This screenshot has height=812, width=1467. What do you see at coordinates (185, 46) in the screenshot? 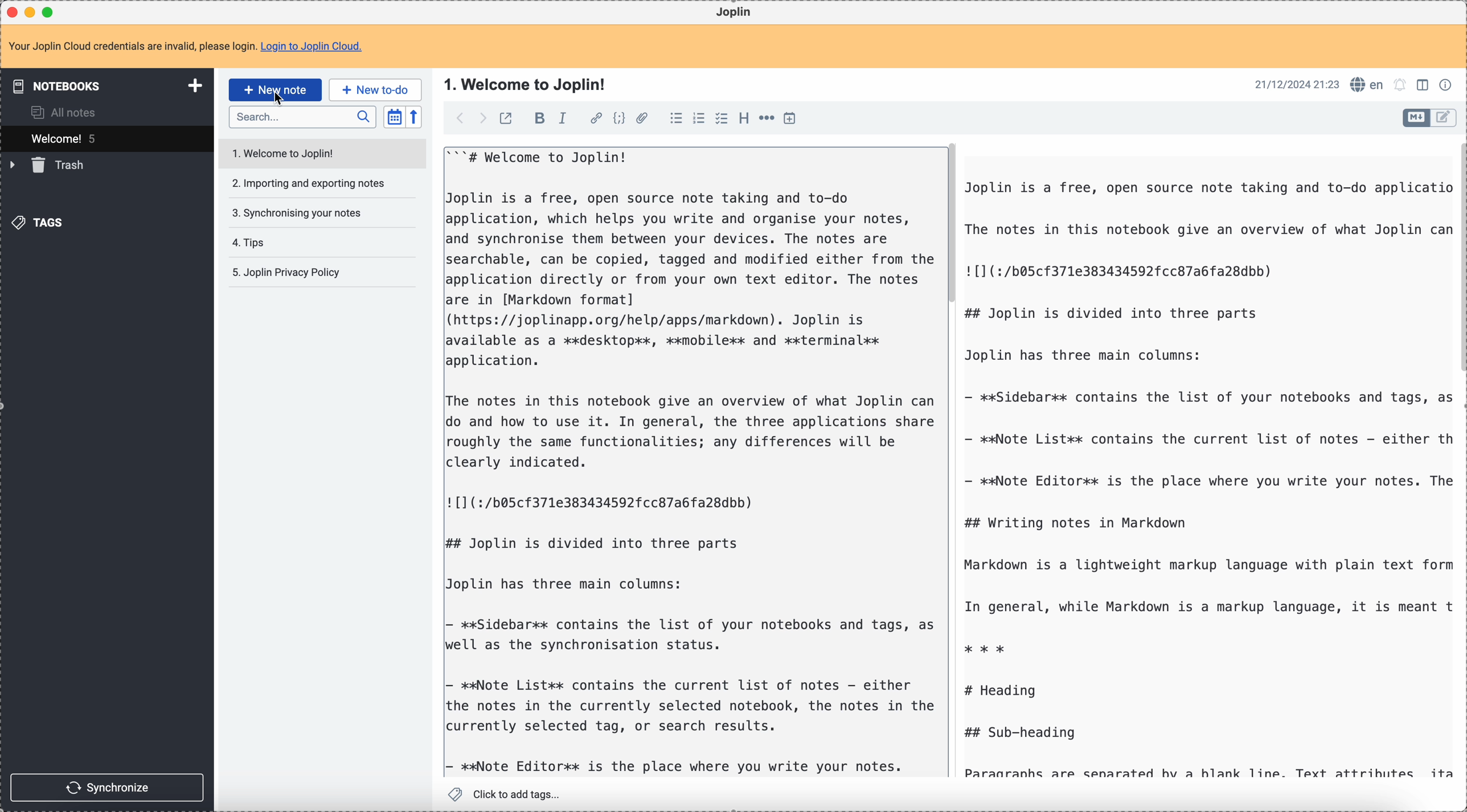
I see `note` at bounding box center [185, 46].